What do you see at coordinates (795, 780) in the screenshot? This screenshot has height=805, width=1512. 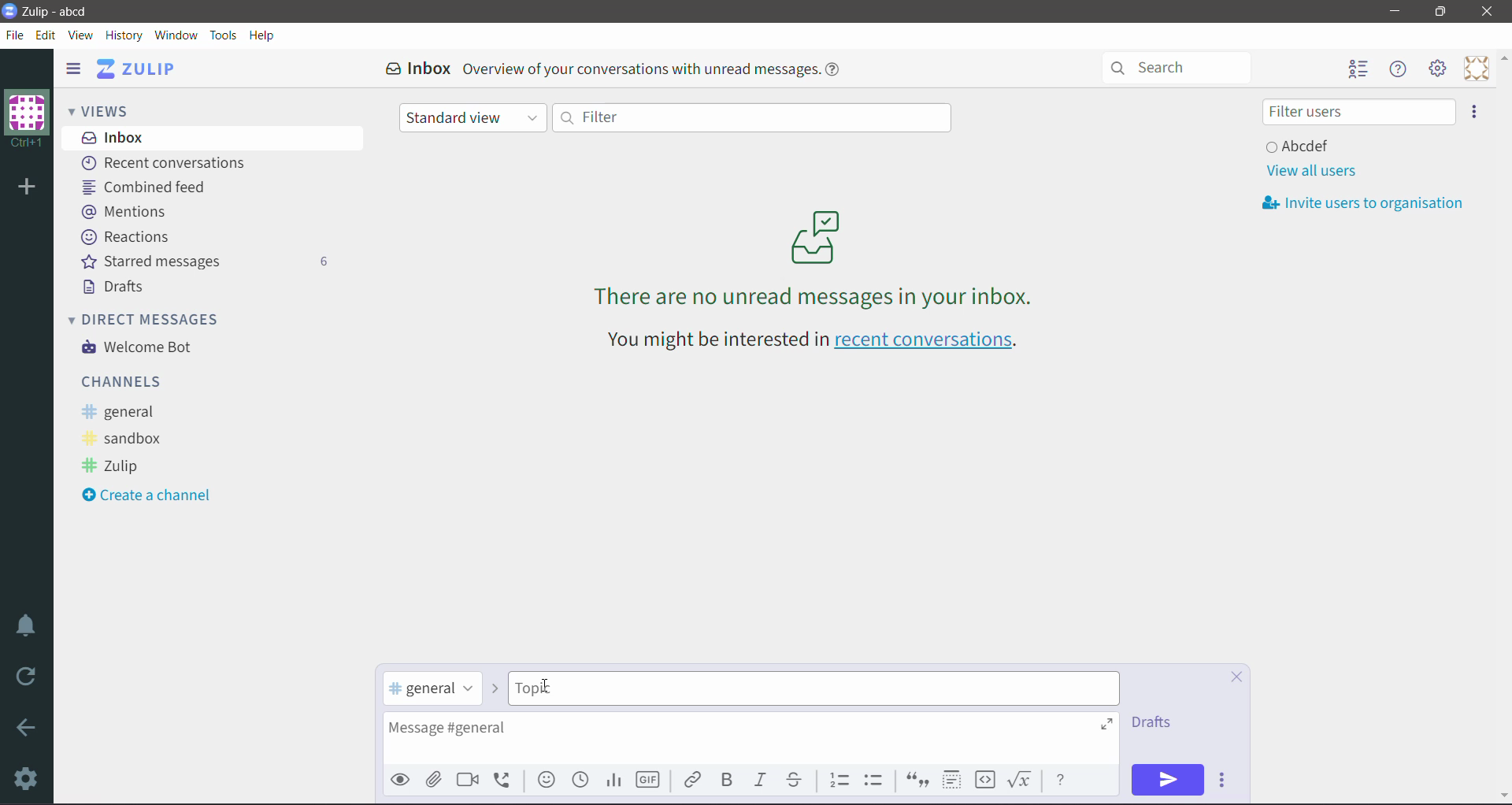 I see `Strikethrough` at bounding box center [795, 780].